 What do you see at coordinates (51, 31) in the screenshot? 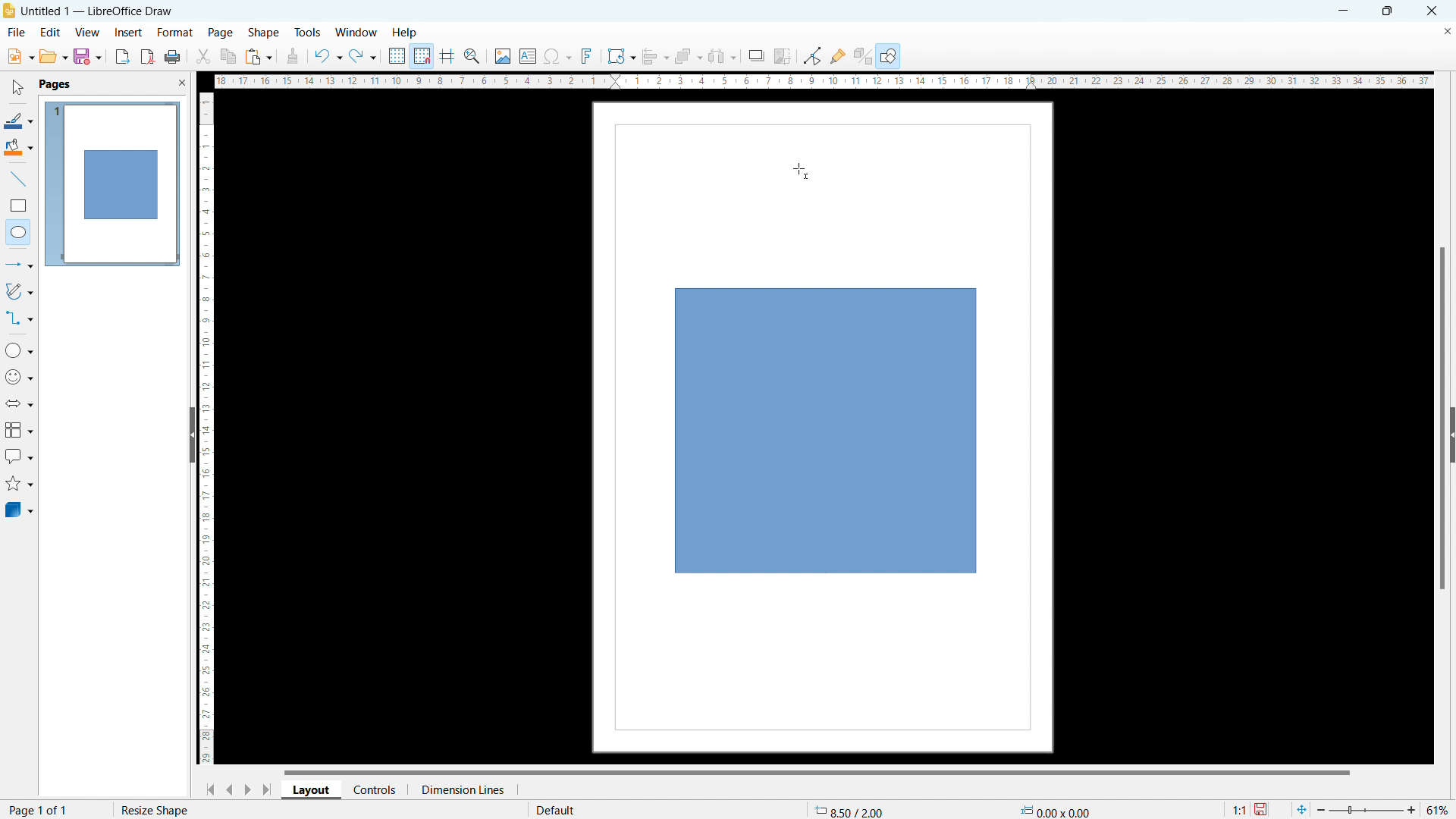
I see `edit` at bounding box center [51, 31].